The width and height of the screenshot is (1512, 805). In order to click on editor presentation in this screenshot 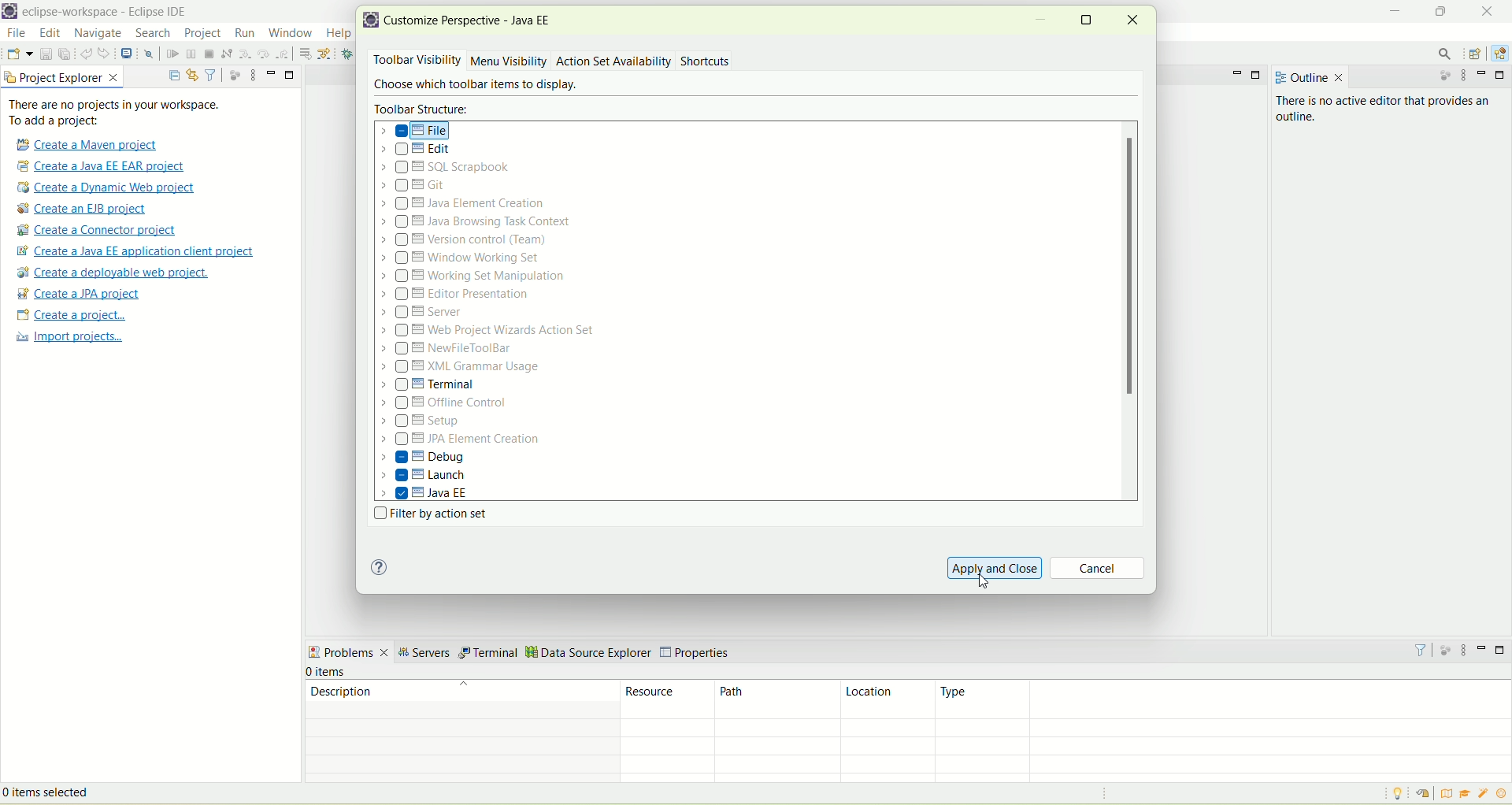, I will do `click(458, 295)`.